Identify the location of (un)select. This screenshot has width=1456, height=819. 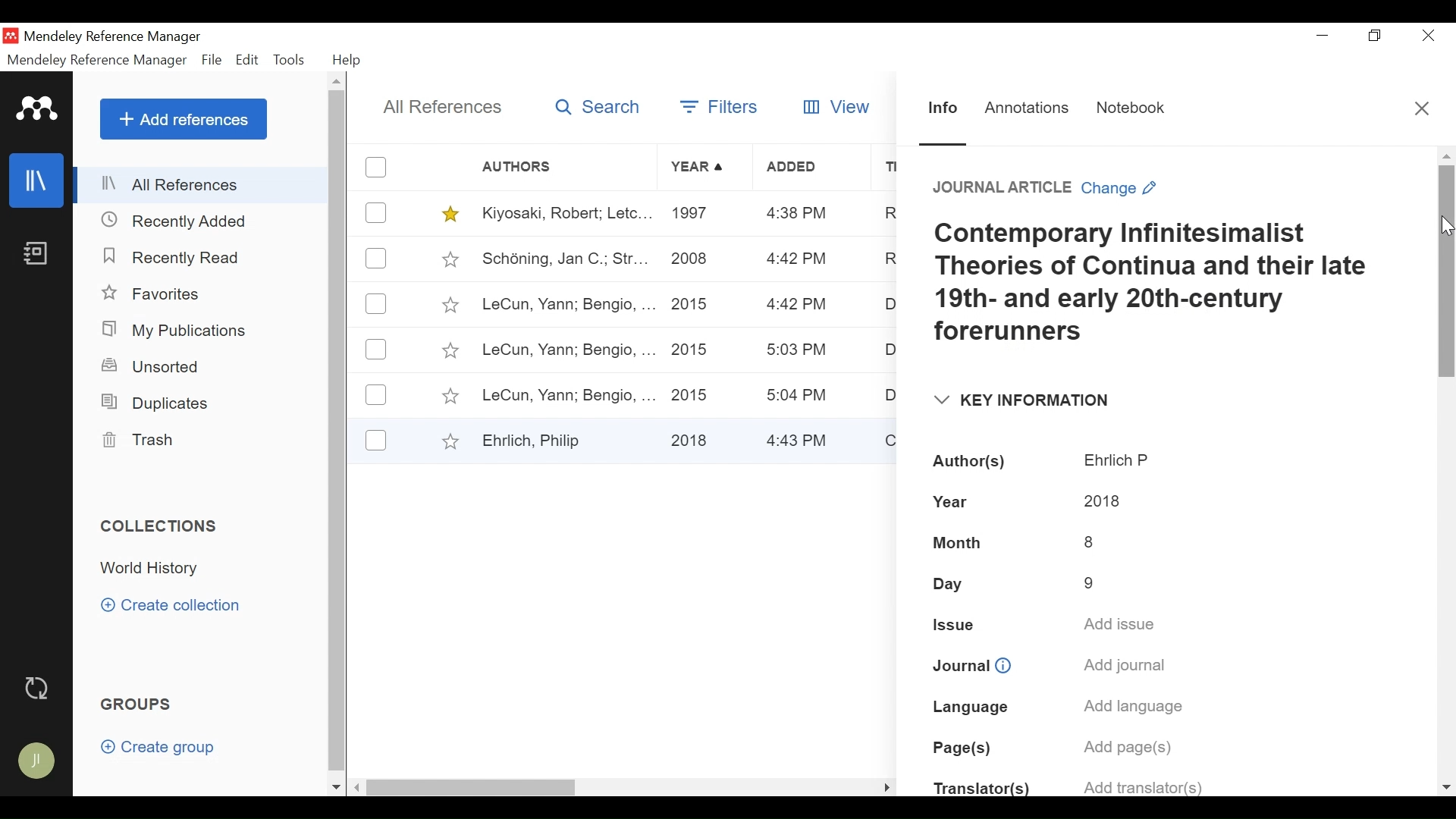
(376, 395).